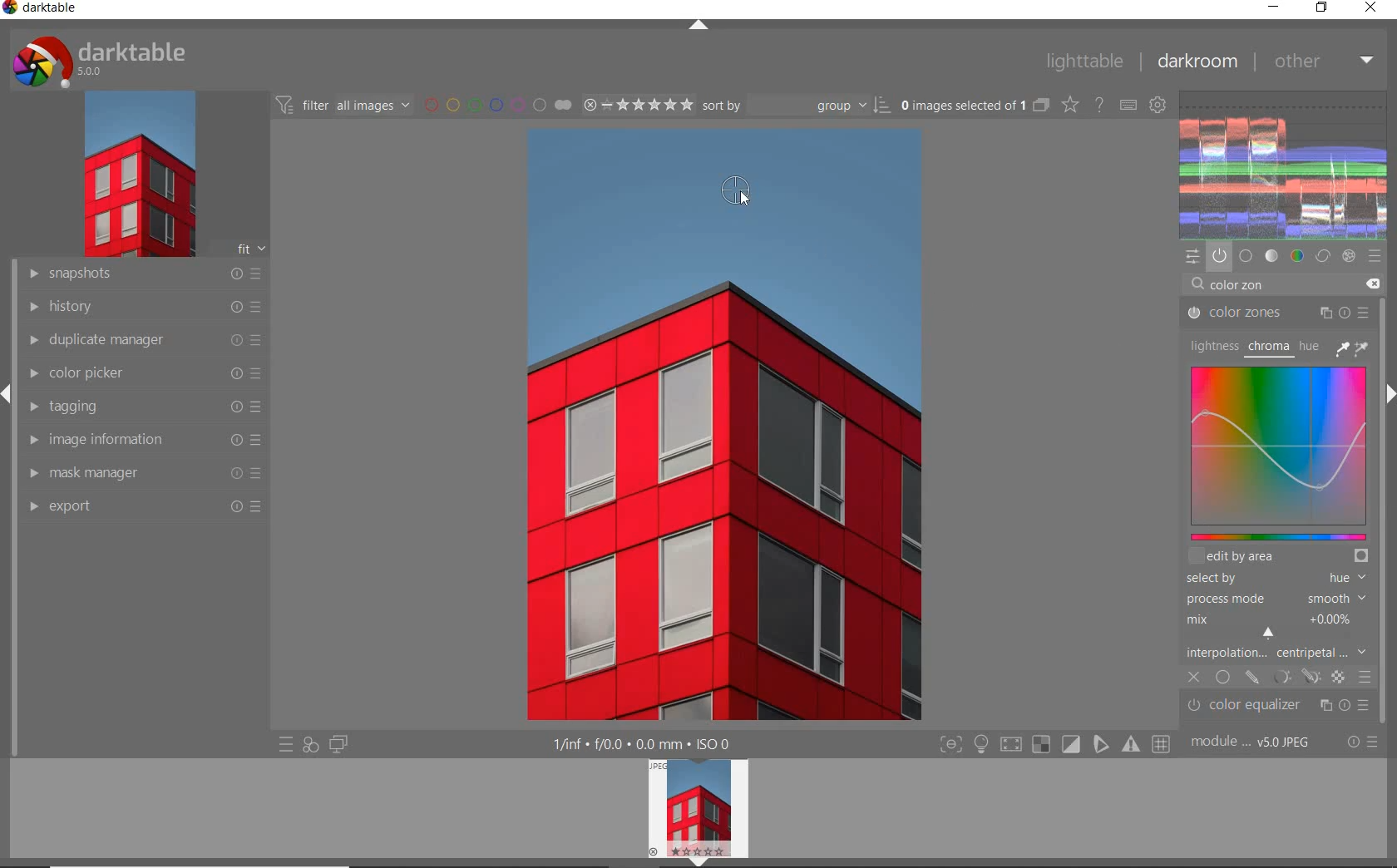 The image size is (1397, 868). Describe the element at coordinates (311, 744) in the screenshot. I see `quick access for applying any of your styles` at that location.